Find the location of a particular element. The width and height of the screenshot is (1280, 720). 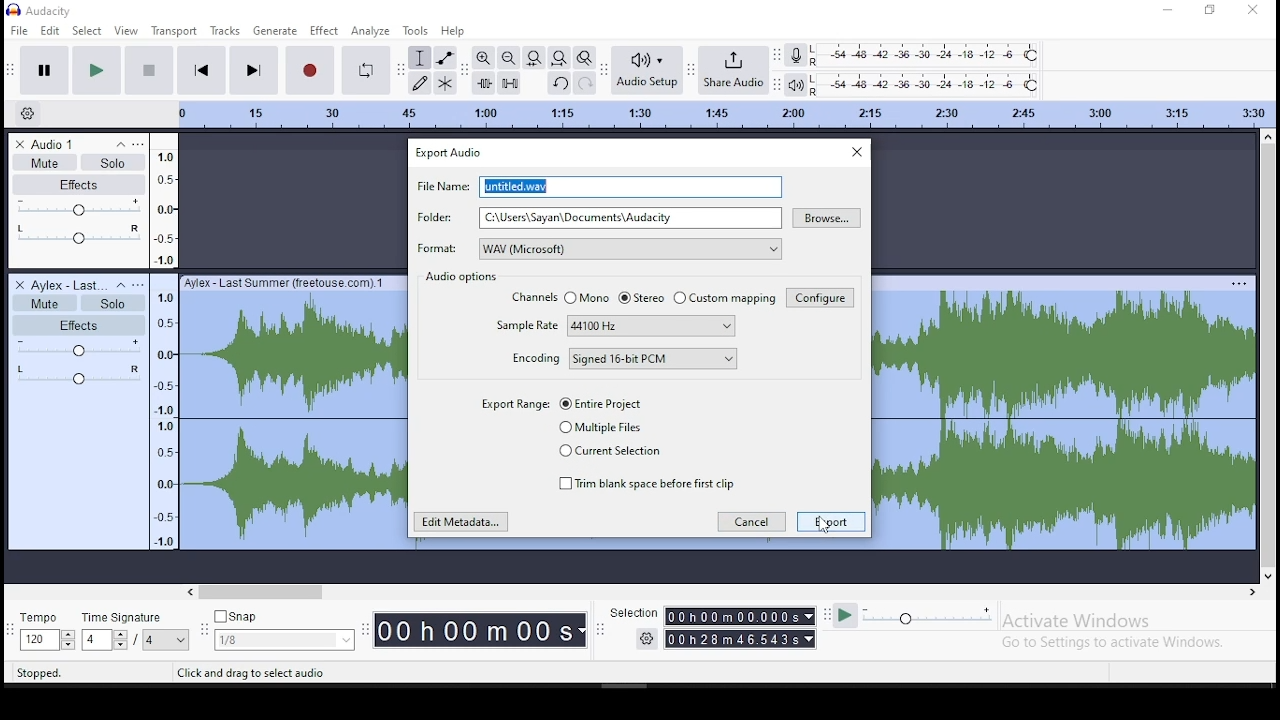

trim blank space before first clip is located at coordinates (648, 483).